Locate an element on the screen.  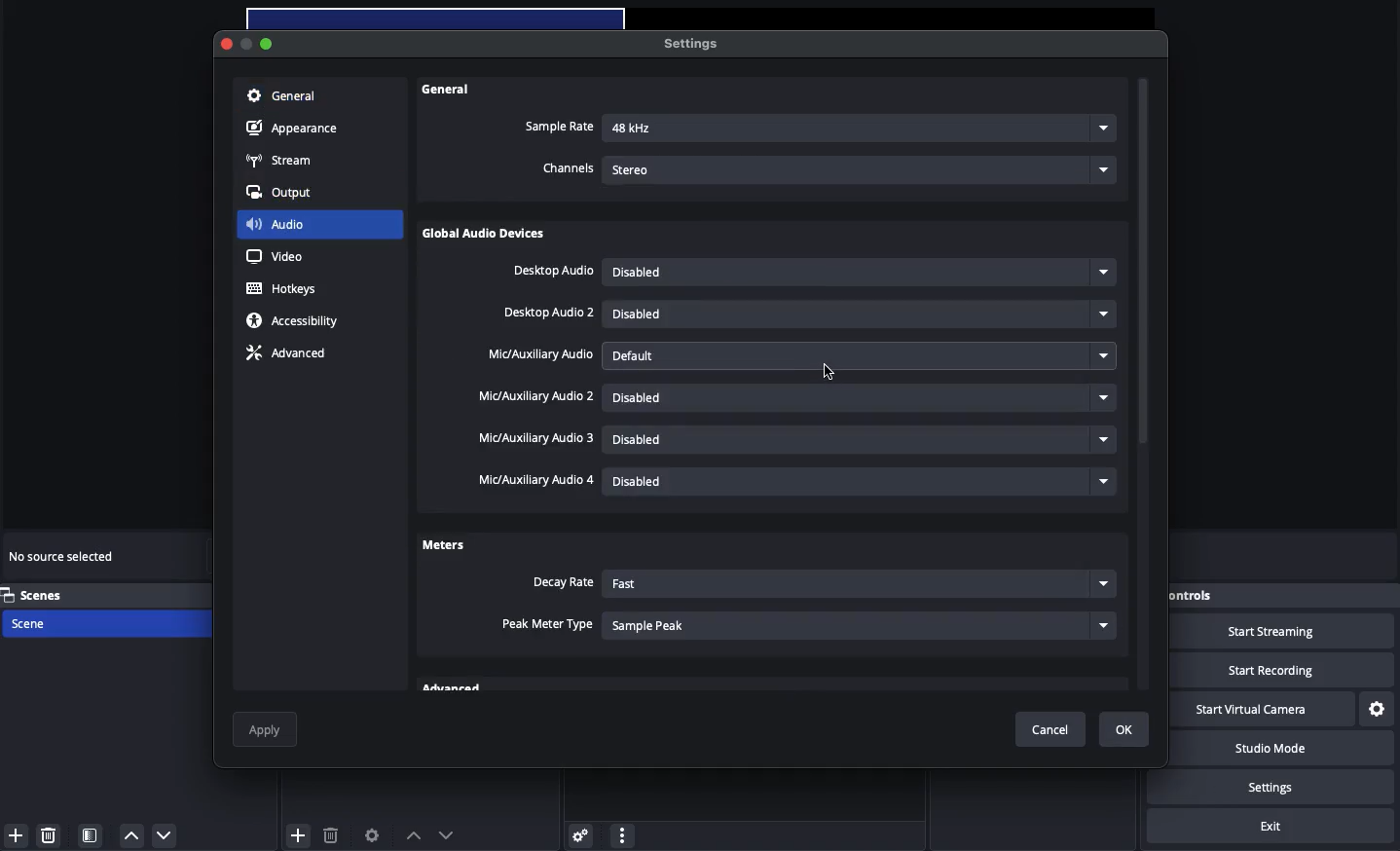
Add is located at coordinates (299, 833).